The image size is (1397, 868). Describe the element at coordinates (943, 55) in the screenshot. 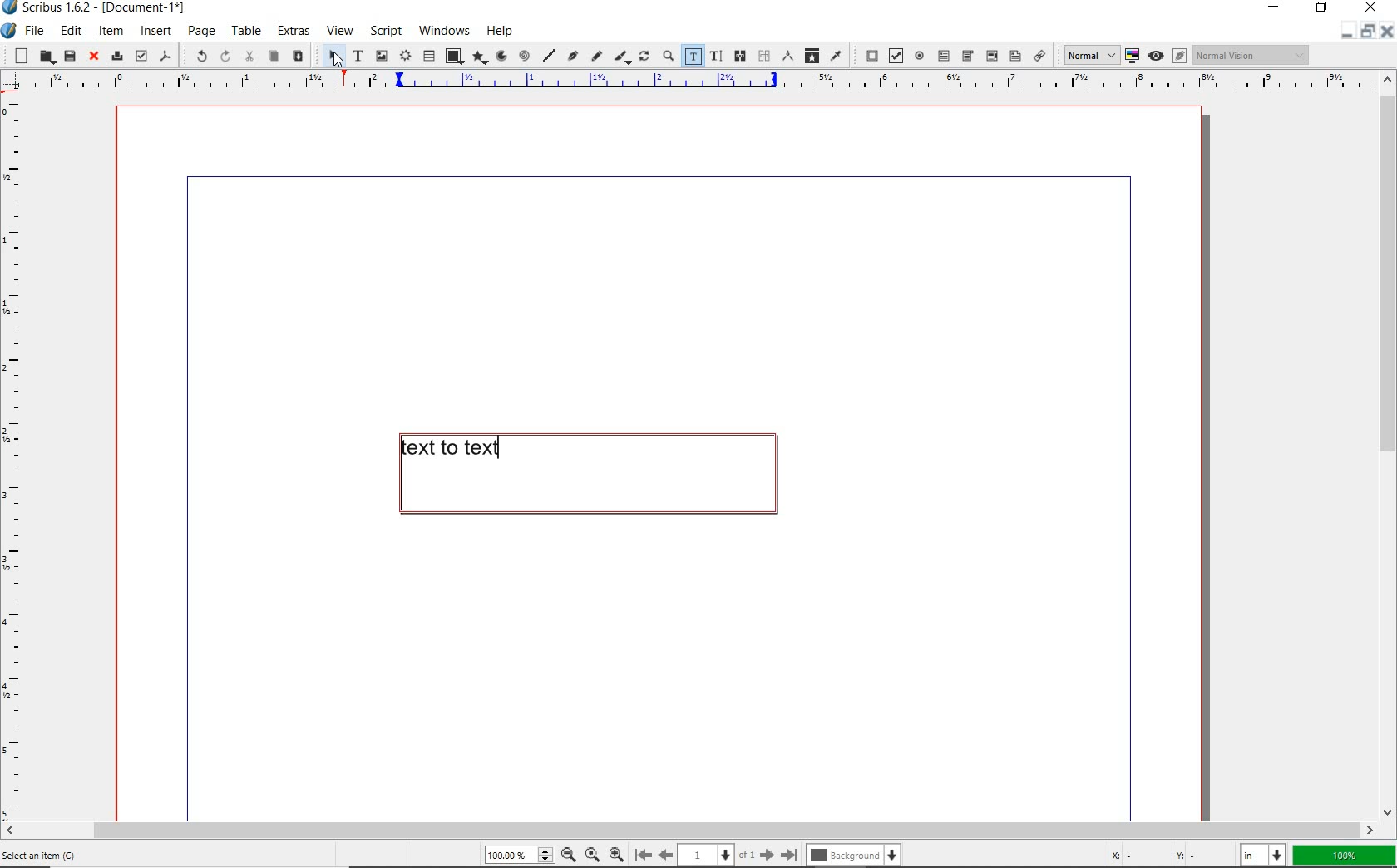

I see `pdf text field` at that location.